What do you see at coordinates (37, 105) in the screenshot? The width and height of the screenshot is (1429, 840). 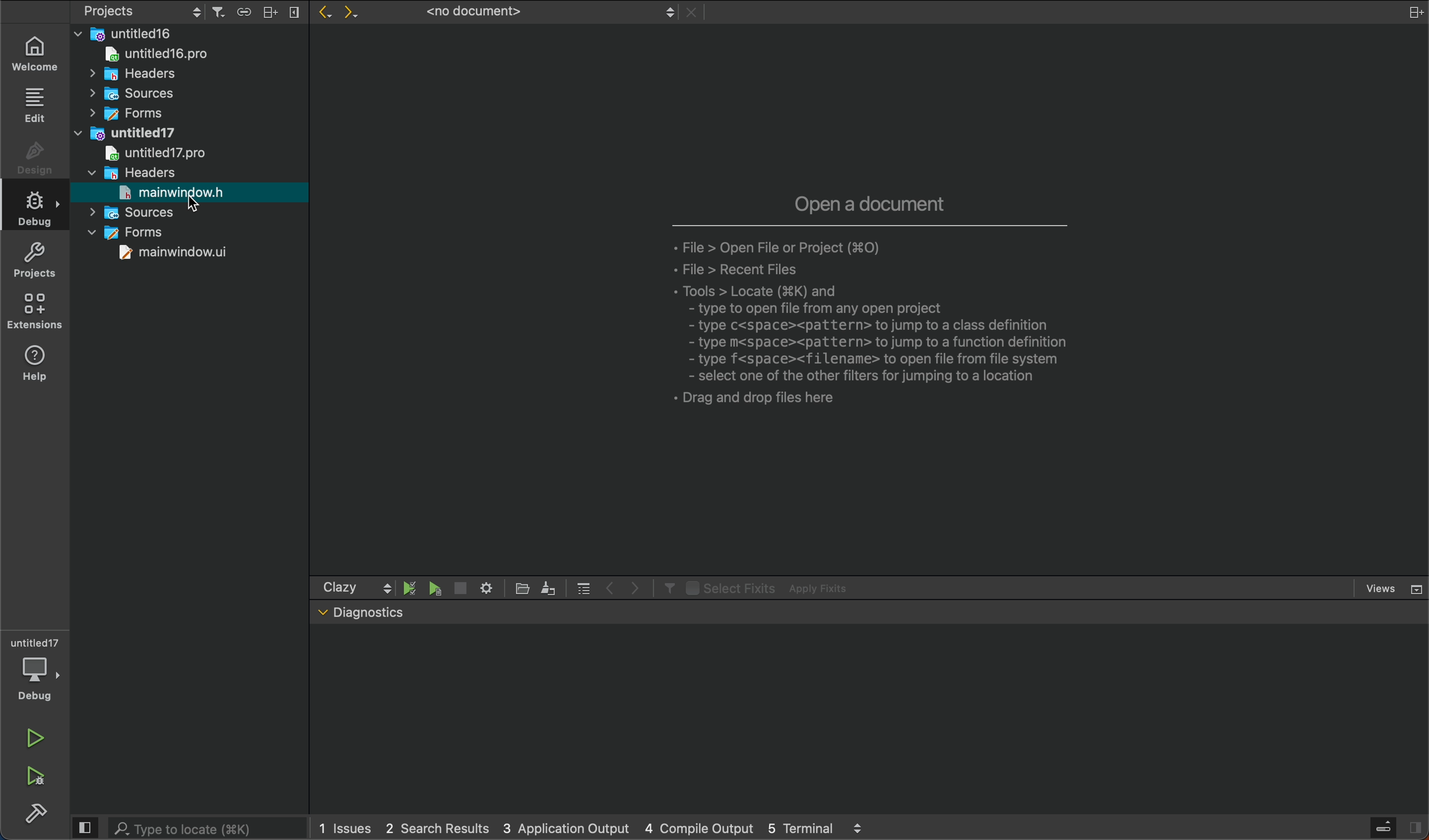 I see `EDIT` at bounding box center [37, 105].